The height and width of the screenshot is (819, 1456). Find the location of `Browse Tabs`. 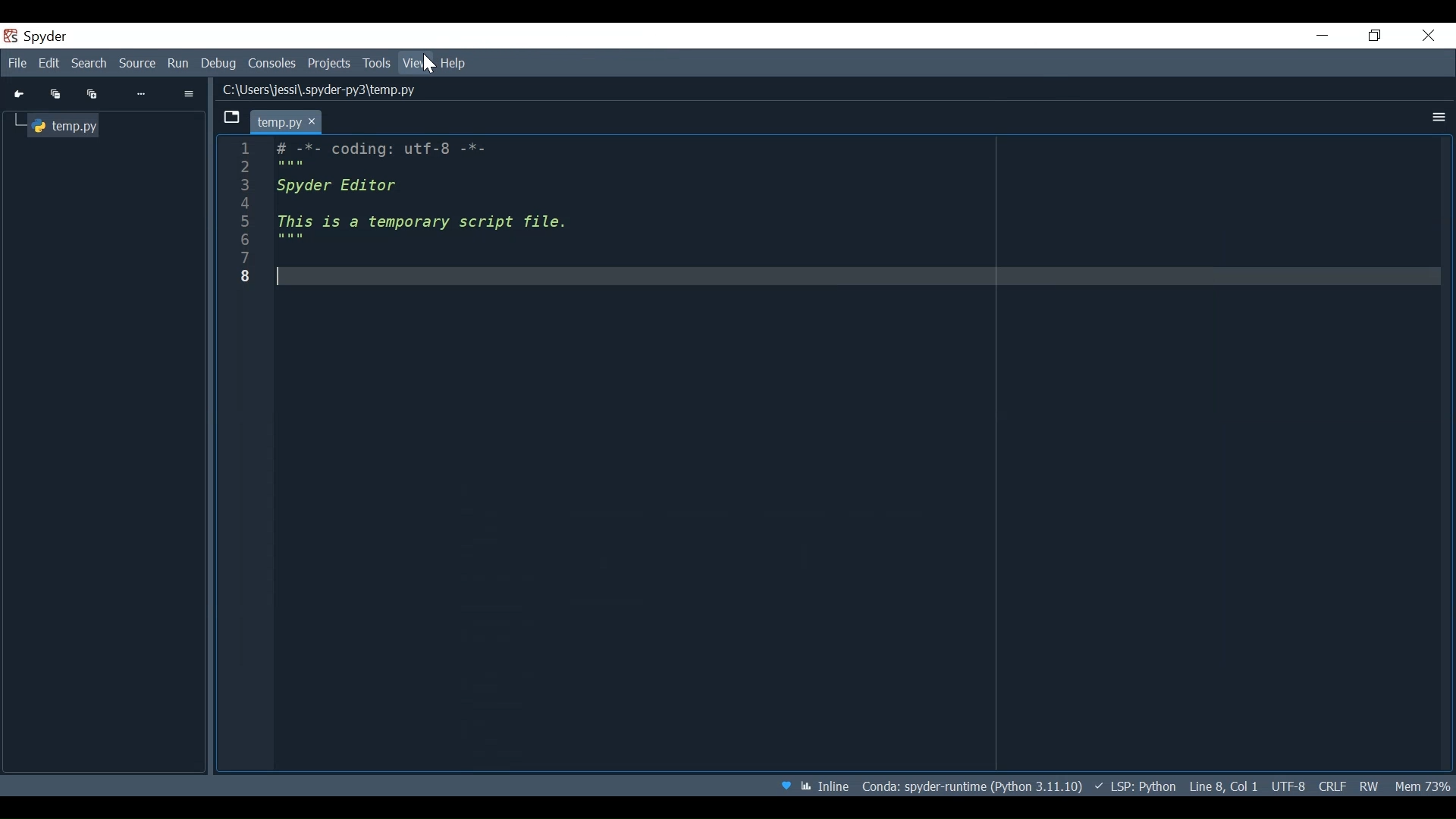

Browse Tabs is located at coordinates (231, 118).